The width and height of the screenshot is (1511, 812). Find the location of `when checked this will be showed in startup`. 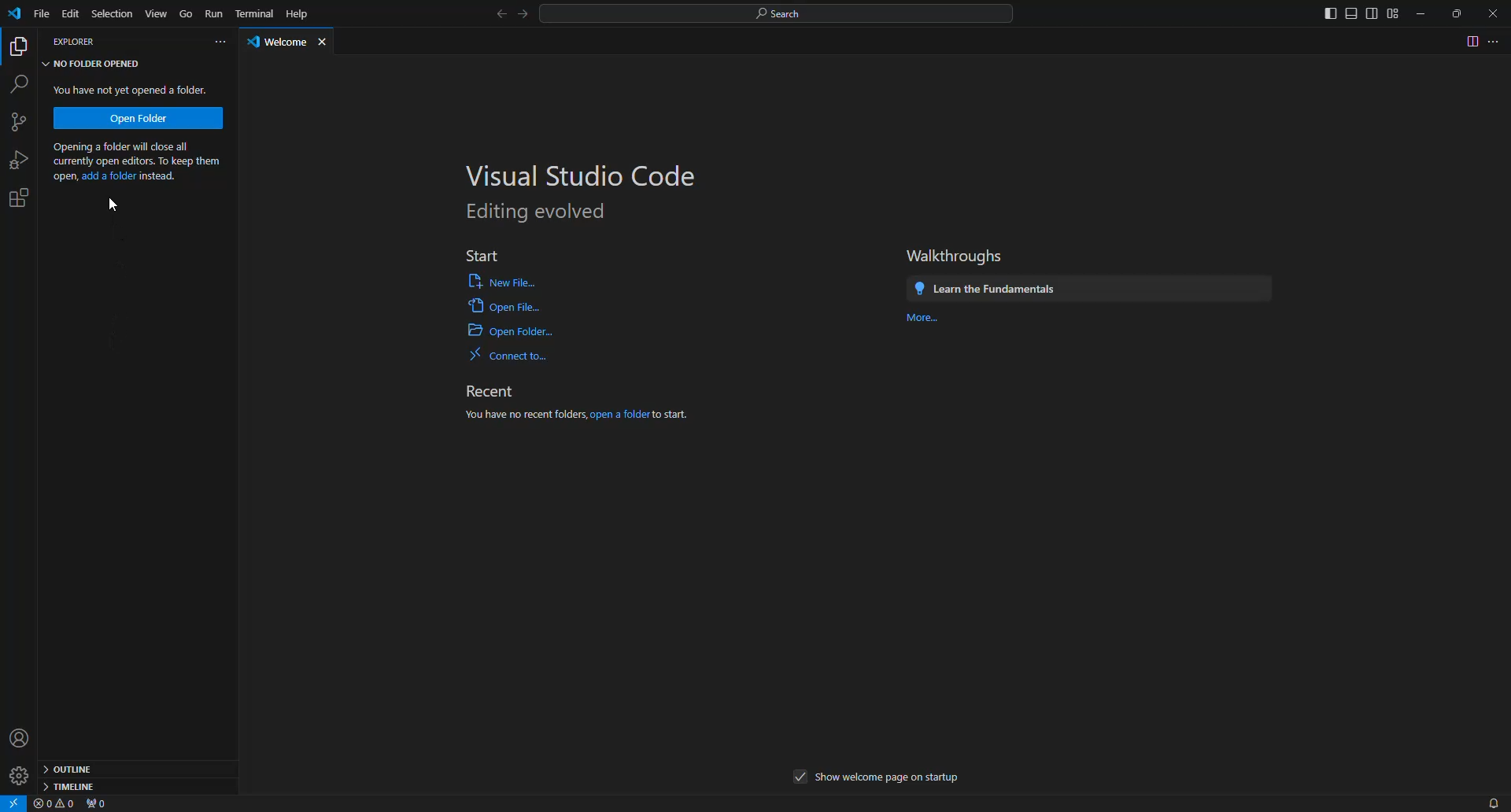

when checked this will be showed in startup is located at coordinates (801, 777).